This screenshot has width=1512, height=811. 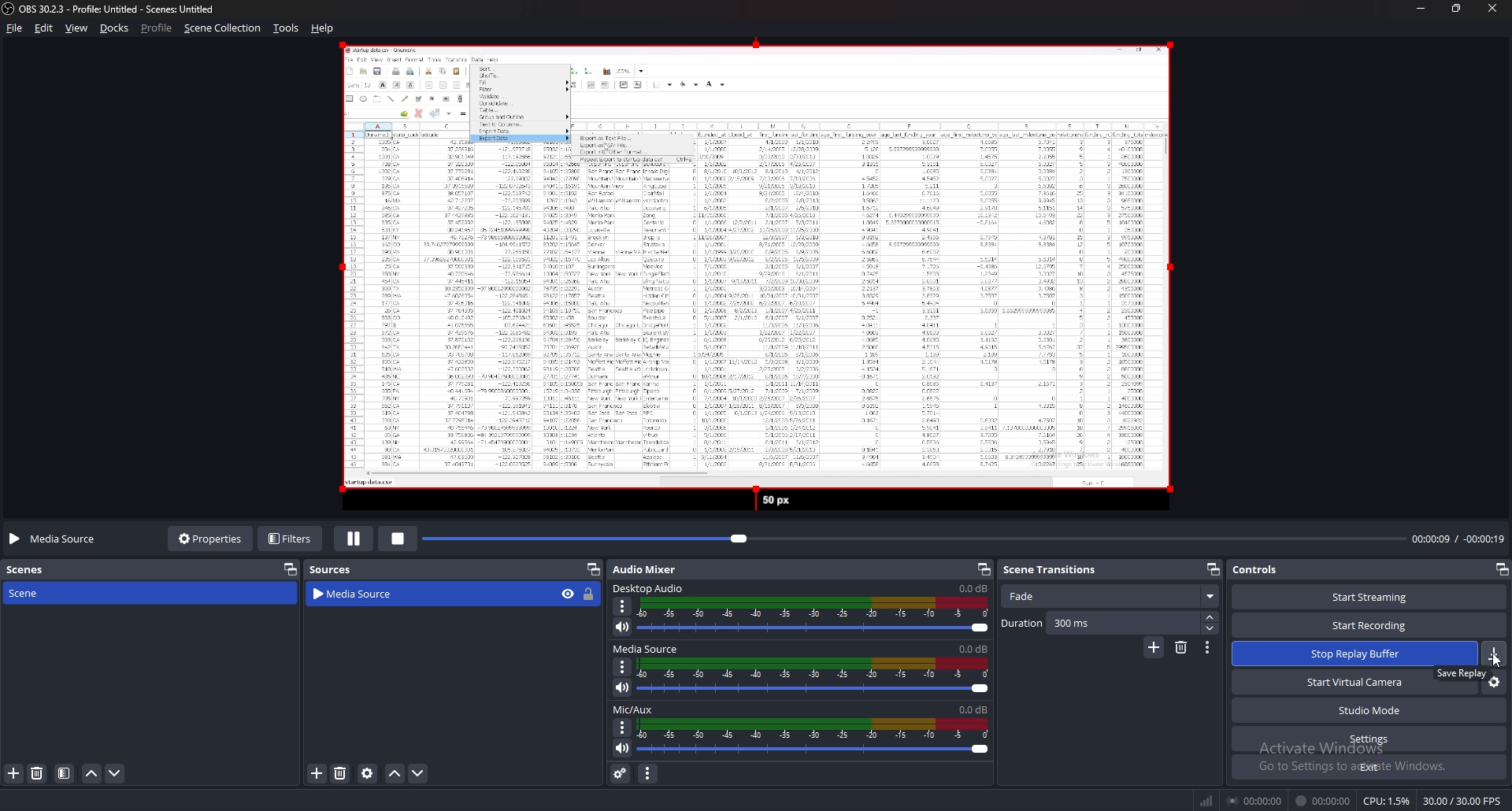 I want to click on exit, so click(x=1368, y=766).